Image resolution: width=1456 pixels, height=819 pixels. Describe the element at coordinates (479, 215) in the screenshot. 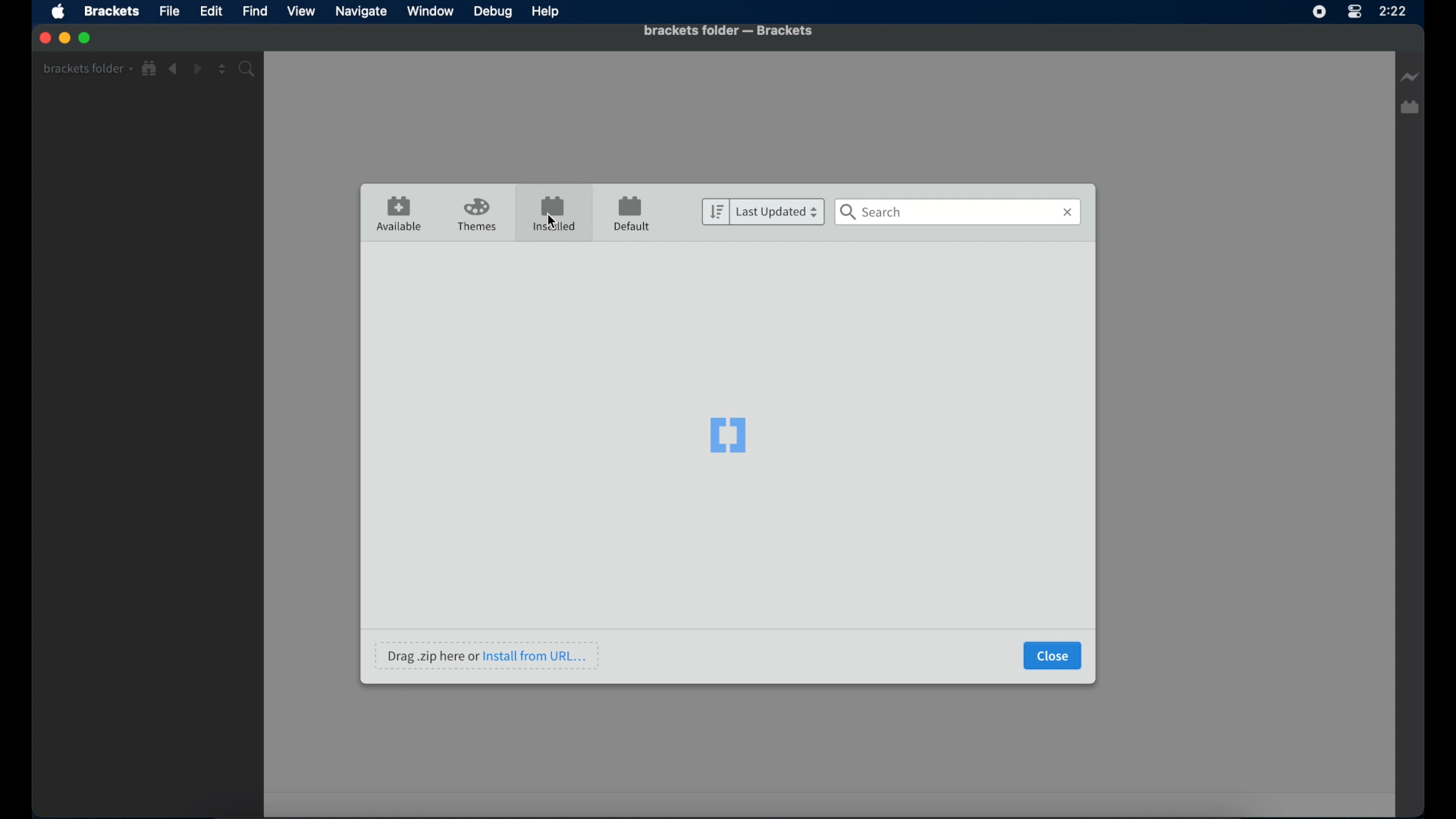

I see `themes` at that location.